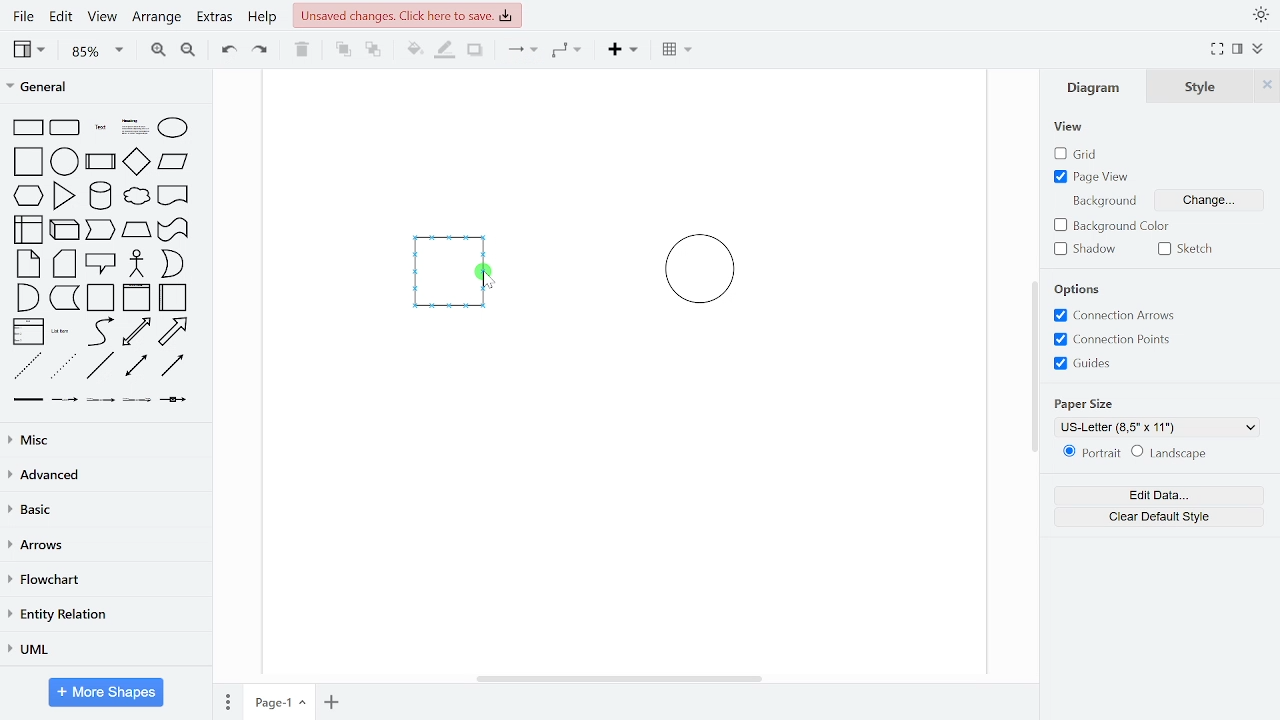 Image resolution: width=1280 pixels, height=720 pixels. I want to click on arrow, so click(173, 332).